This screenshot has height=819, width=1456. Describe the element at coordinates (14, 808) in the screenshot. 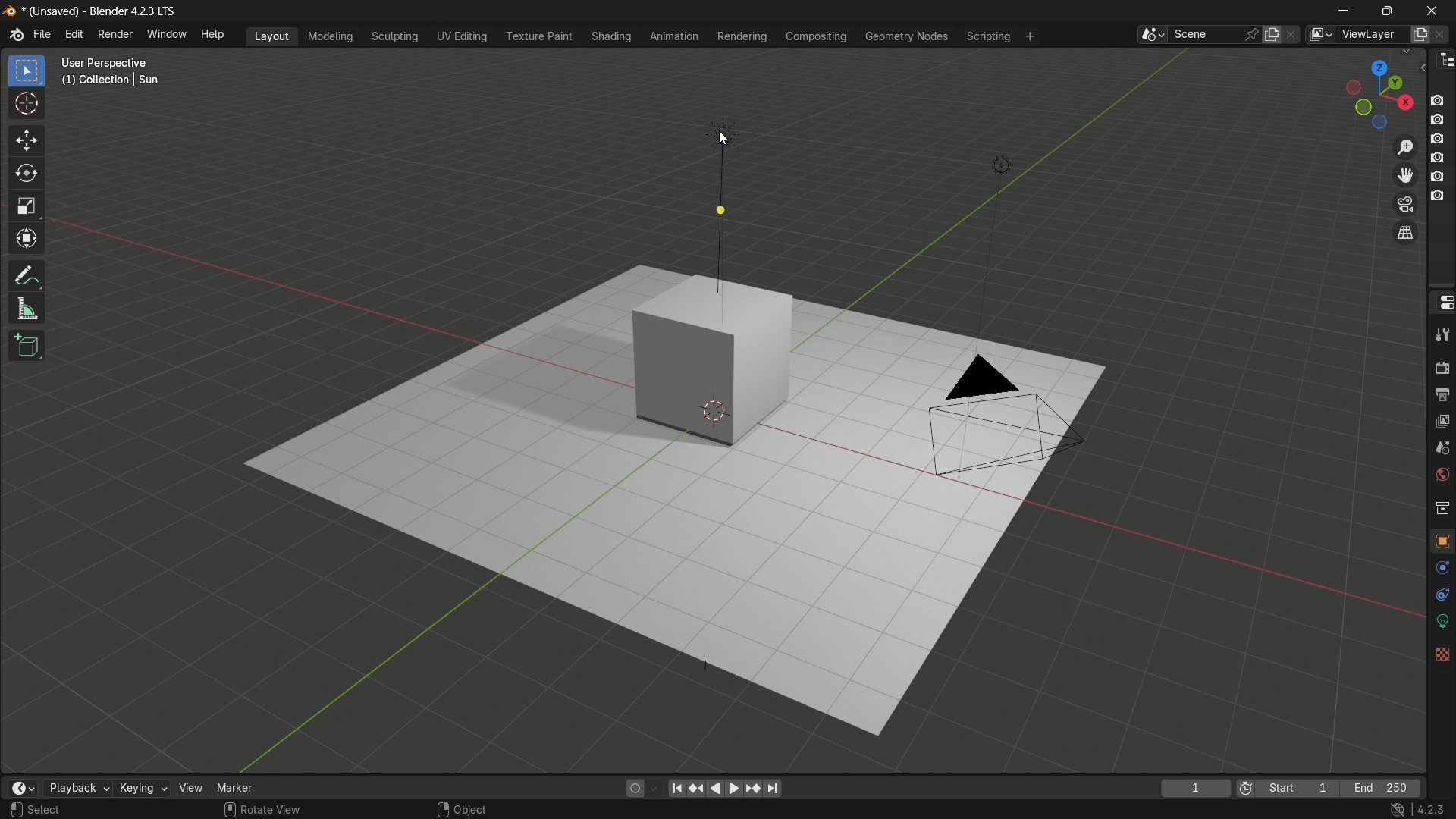

I see `left click` at that location.